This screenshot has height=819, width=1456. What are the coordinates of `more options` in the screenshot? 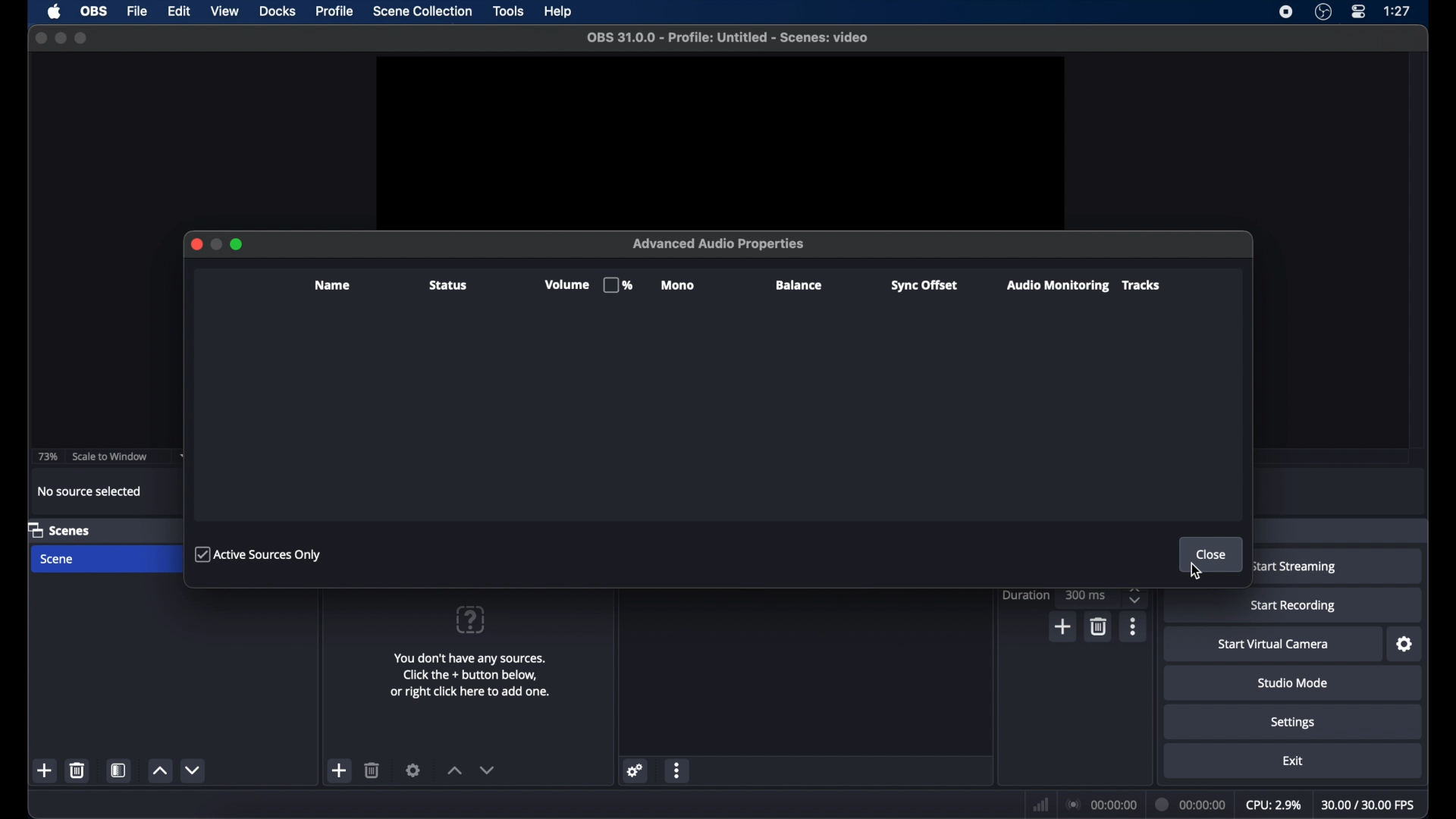 It's located at (1134, 626).